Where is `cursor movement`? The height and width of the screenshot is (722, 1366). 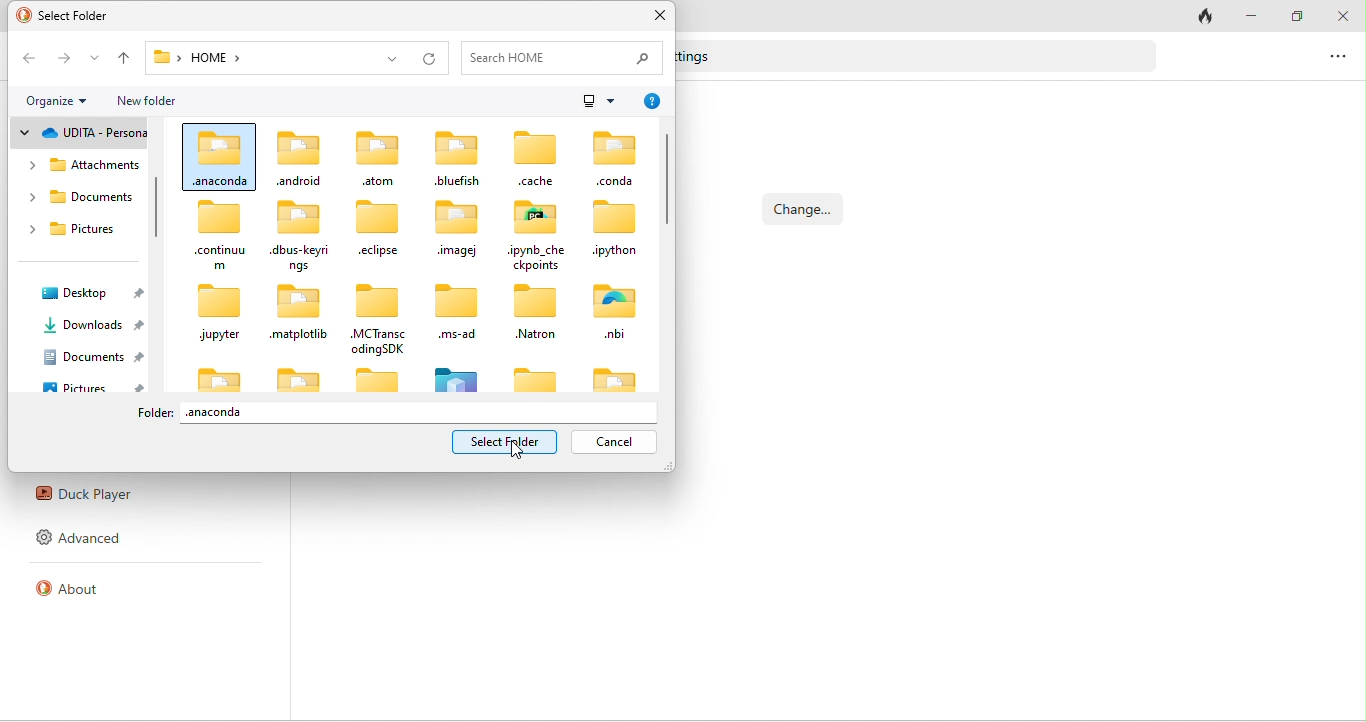 cursor movement is located at coordinates (519, 449).